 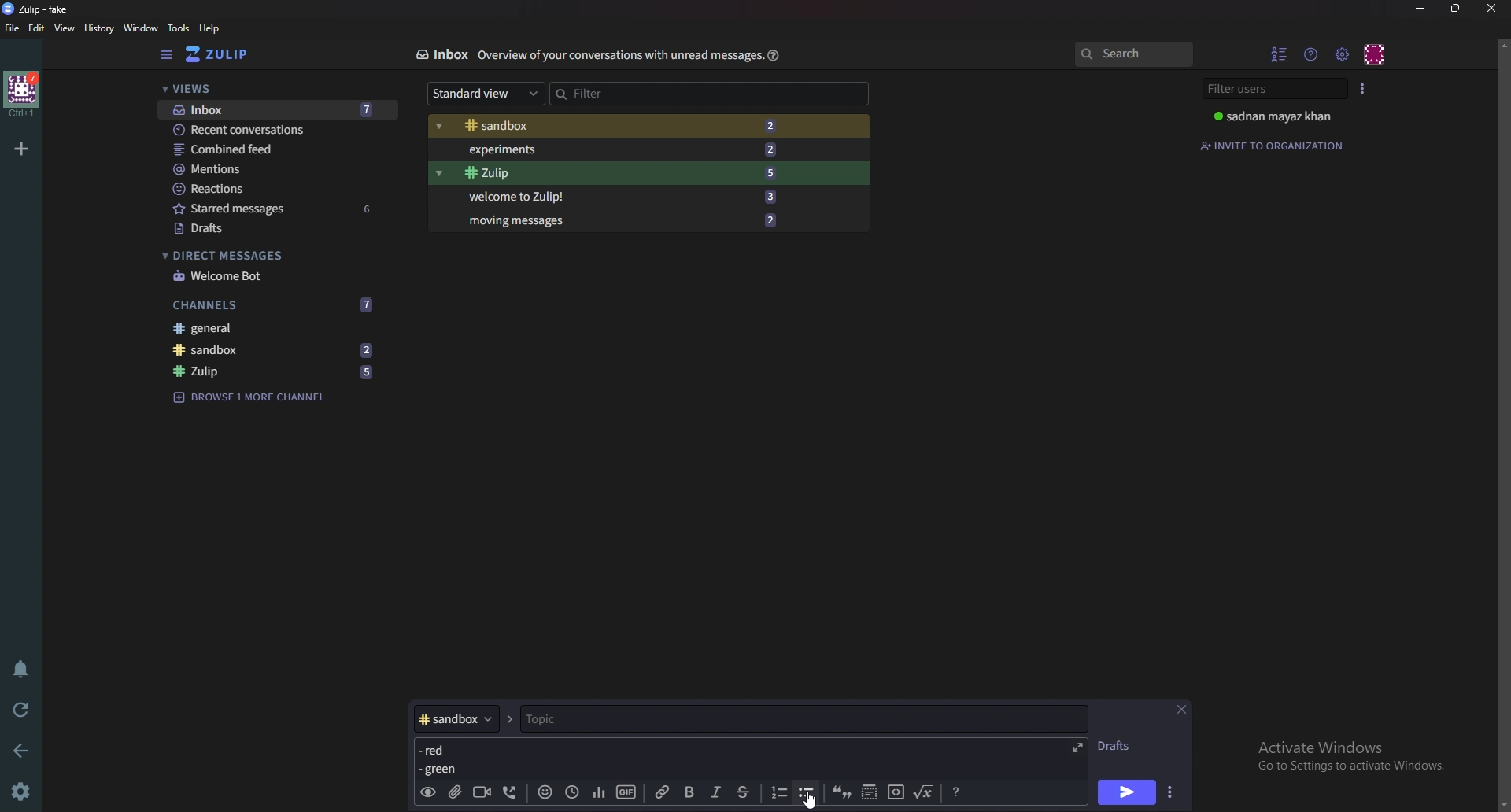 I want to click on Reactions, so click(x=276, y=189).